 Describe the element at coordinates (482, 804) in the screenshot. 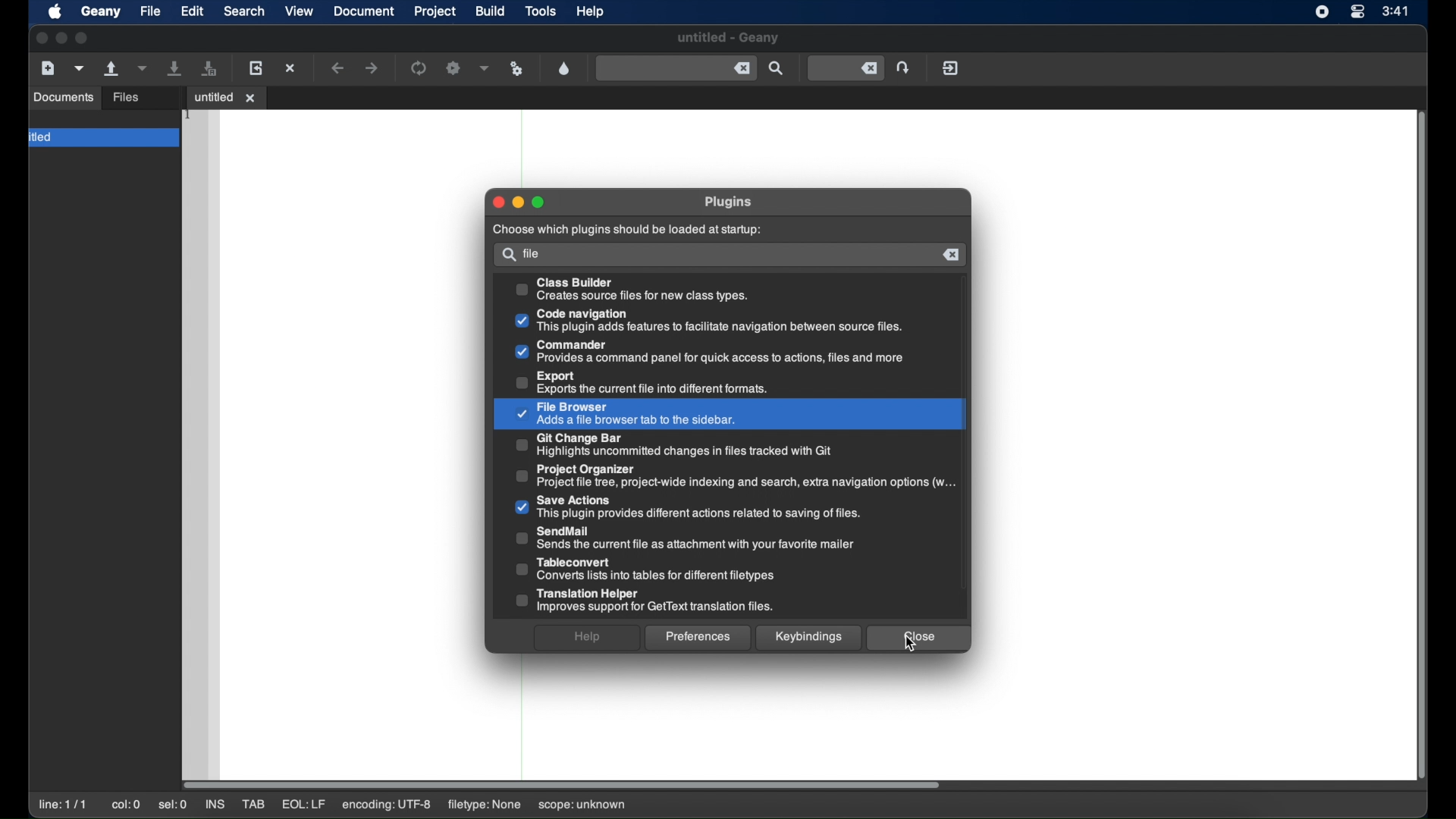

I see `filetype: none` at that location.